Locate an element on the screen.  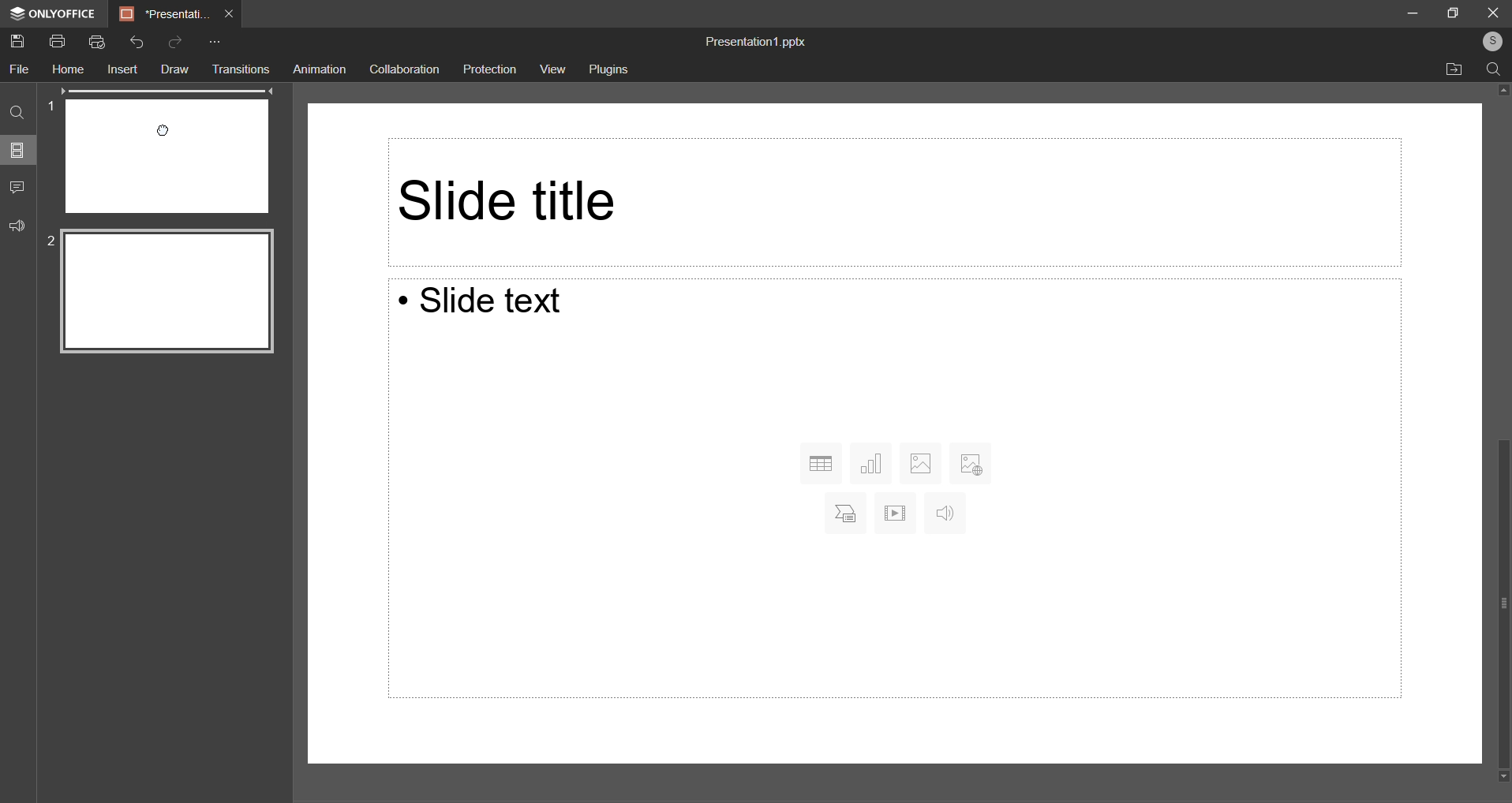
close is located at coordinates (1489, 13).